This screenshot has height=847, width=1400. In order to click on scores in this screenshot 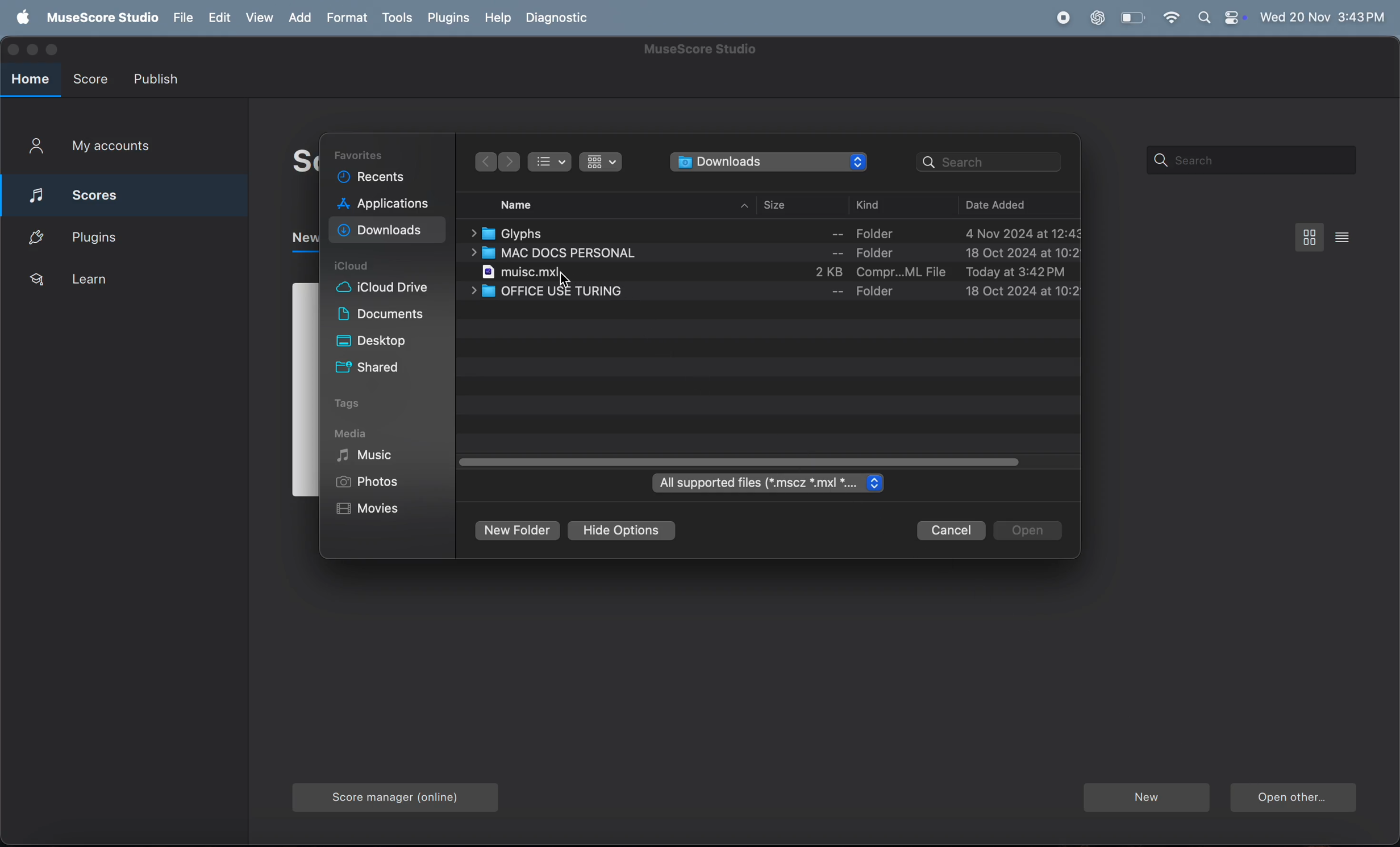, I will do `click(127, 193)`.